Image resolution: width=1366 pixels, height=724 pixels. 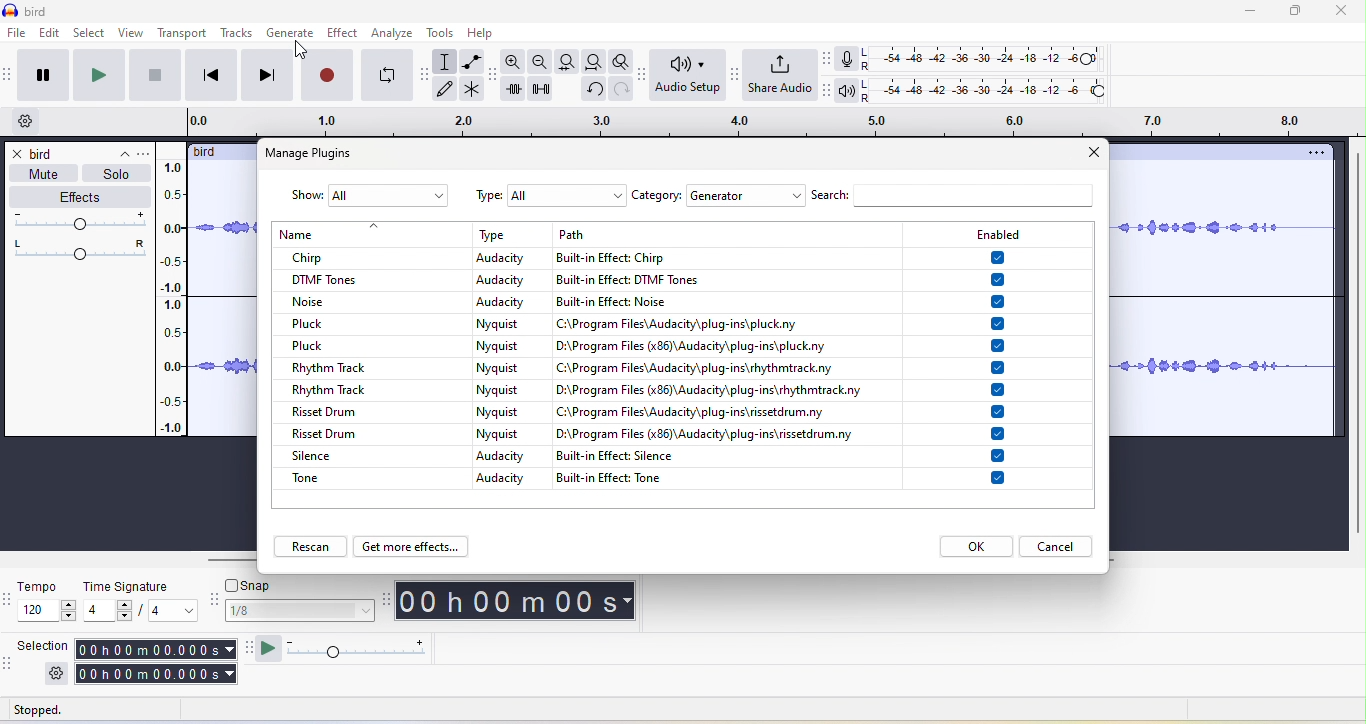 What do you see at coordinates (511, 279) in the screenshot?
I see `audacity` at bounding box center [511, 279].